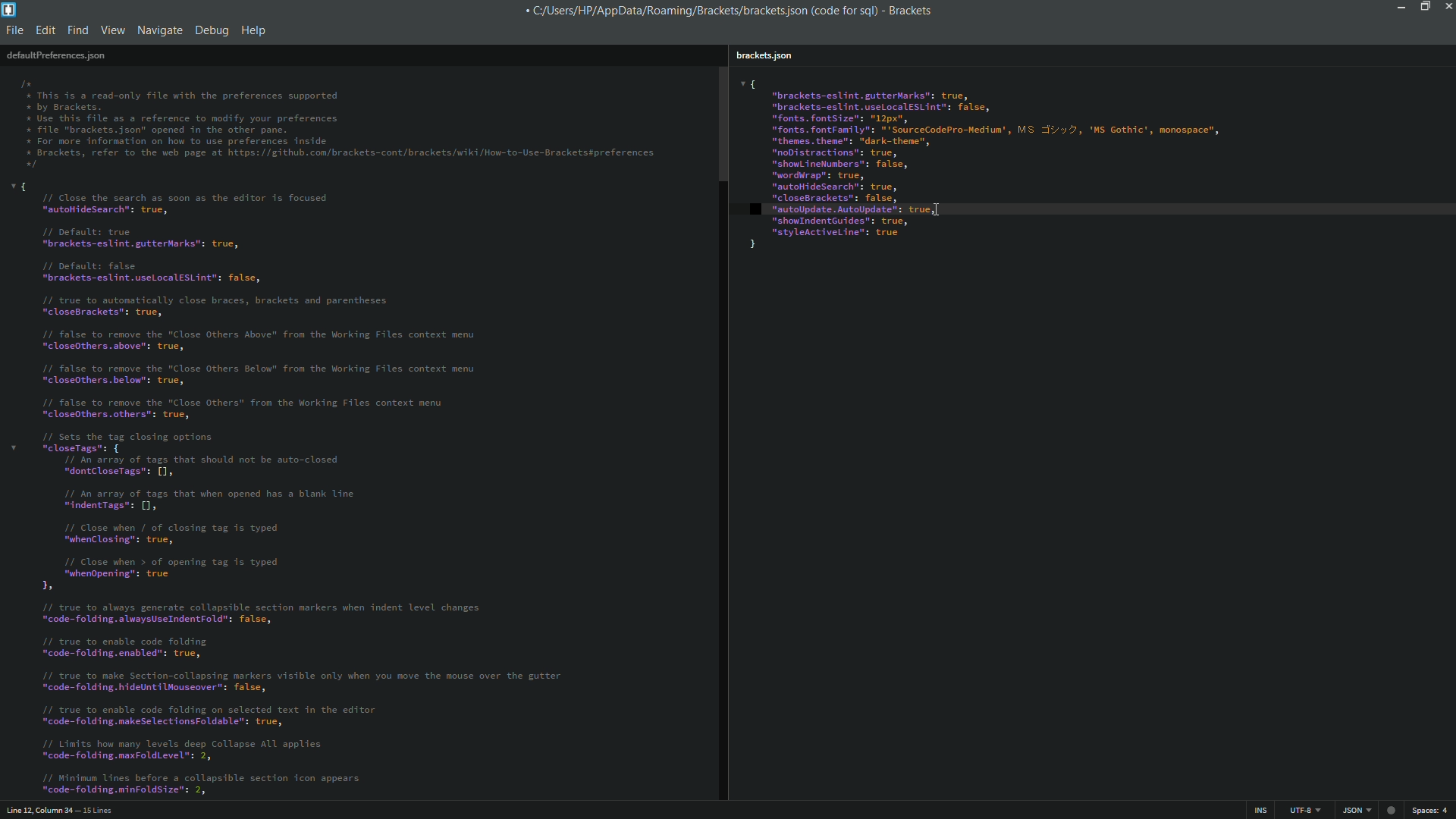 The image size is (1456, 819). What do you see at coordinates (1262, 810) in the screenshot?
I see `INS` at bounding box center [1262, 810].